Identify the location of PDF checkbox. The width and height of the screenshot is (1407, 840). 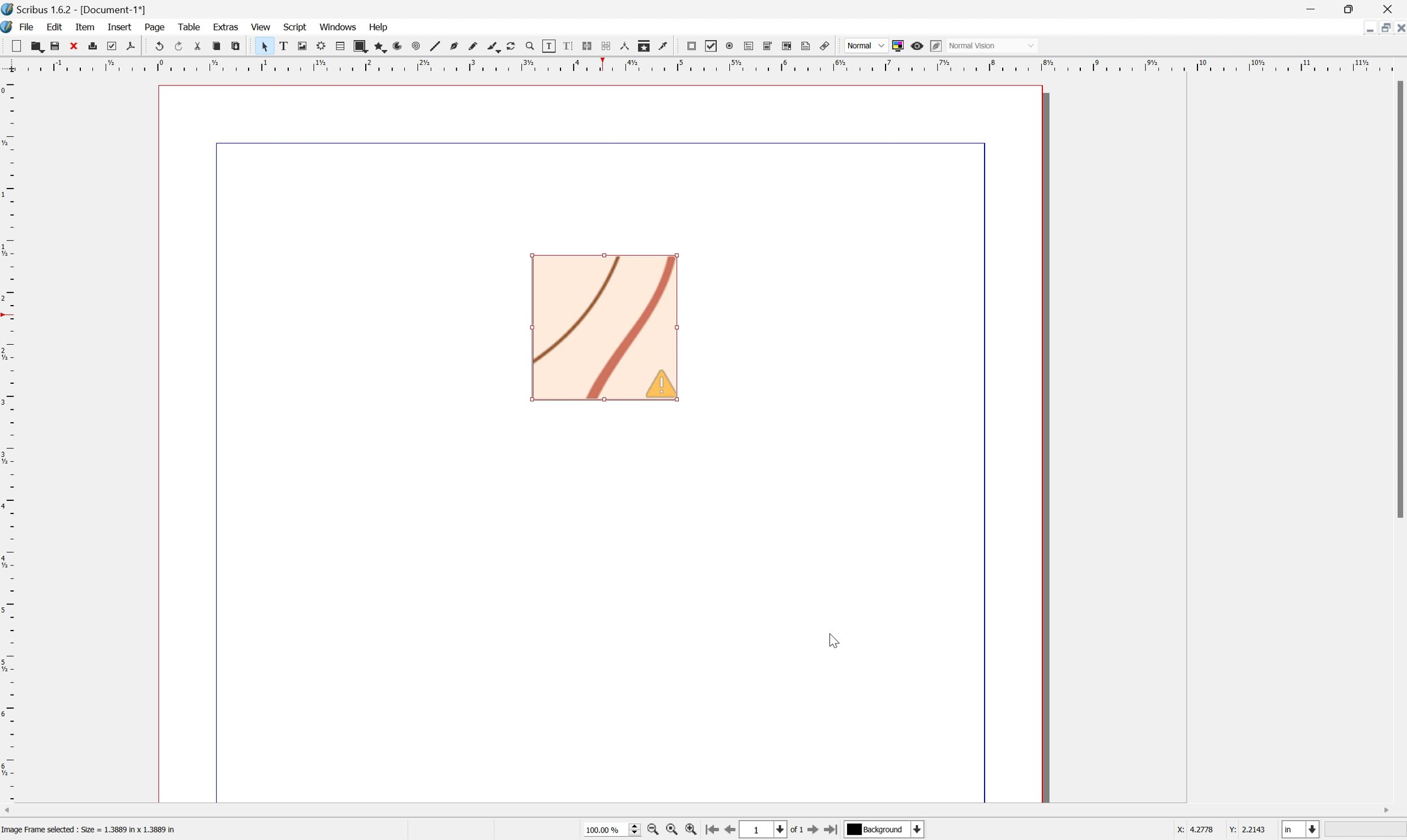
(712, 47).